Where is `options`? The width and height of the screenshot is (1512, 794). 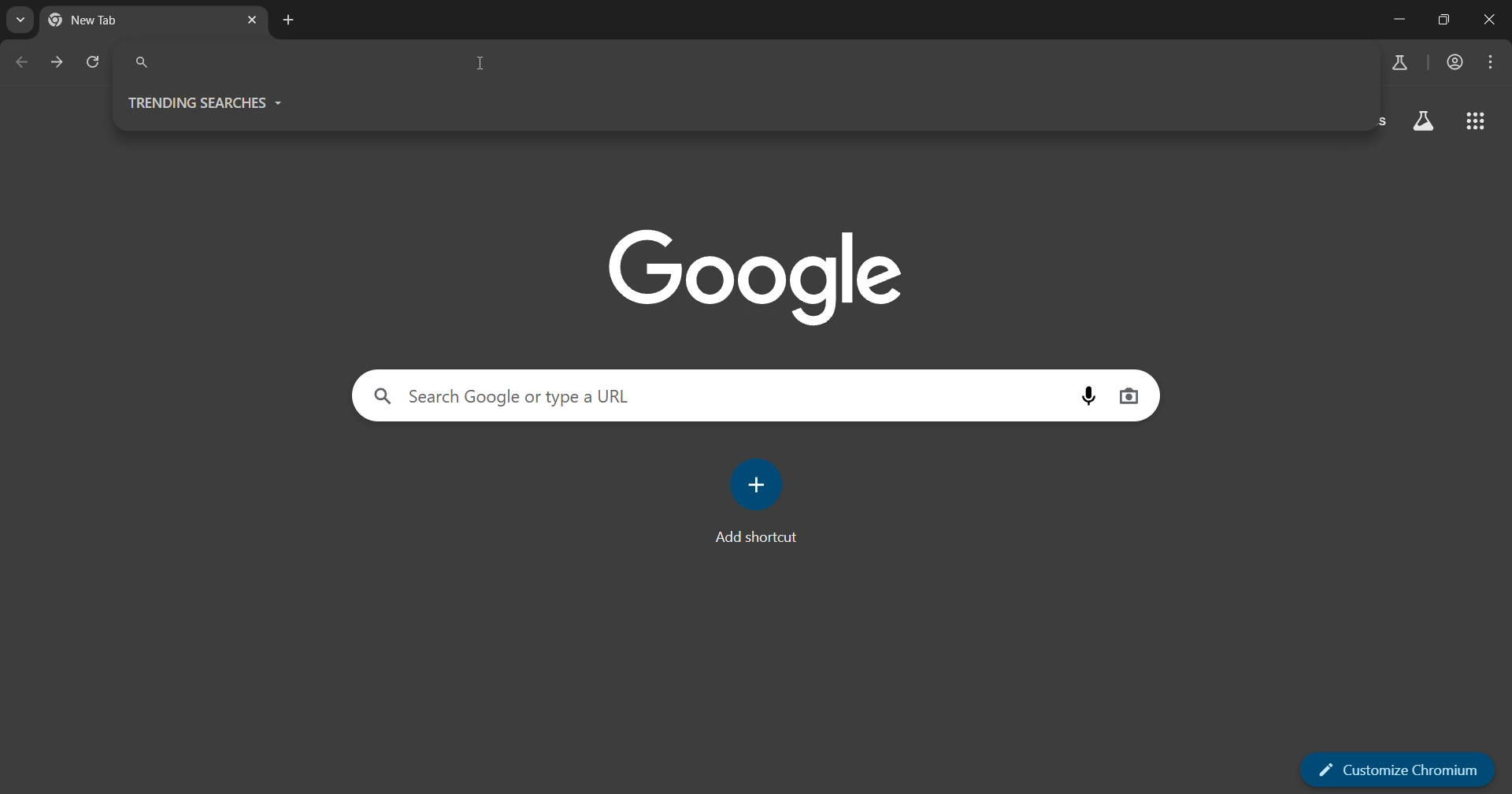
options is located at coordinates (1489, 61).